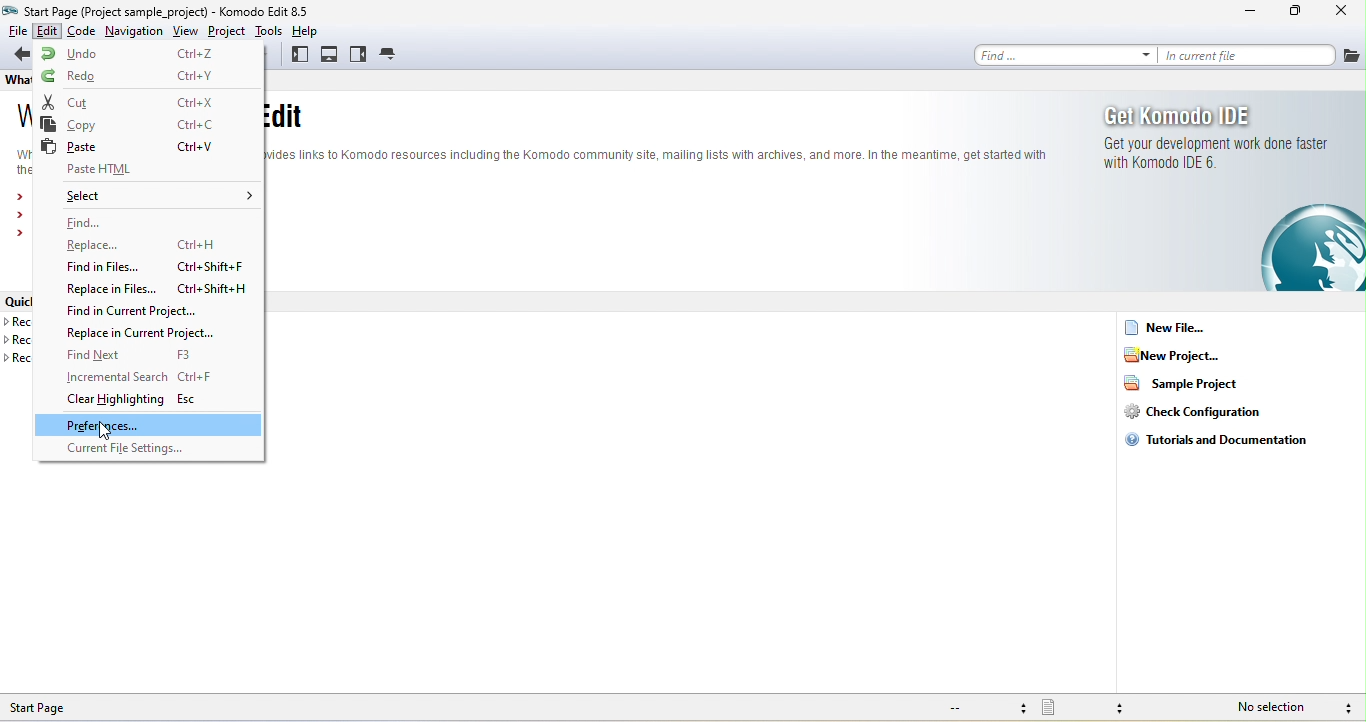 This screenshot has width=1366, height=722. Describe the element at coordinates (158, 268) in the screenshot. I see `find in files` at that location.